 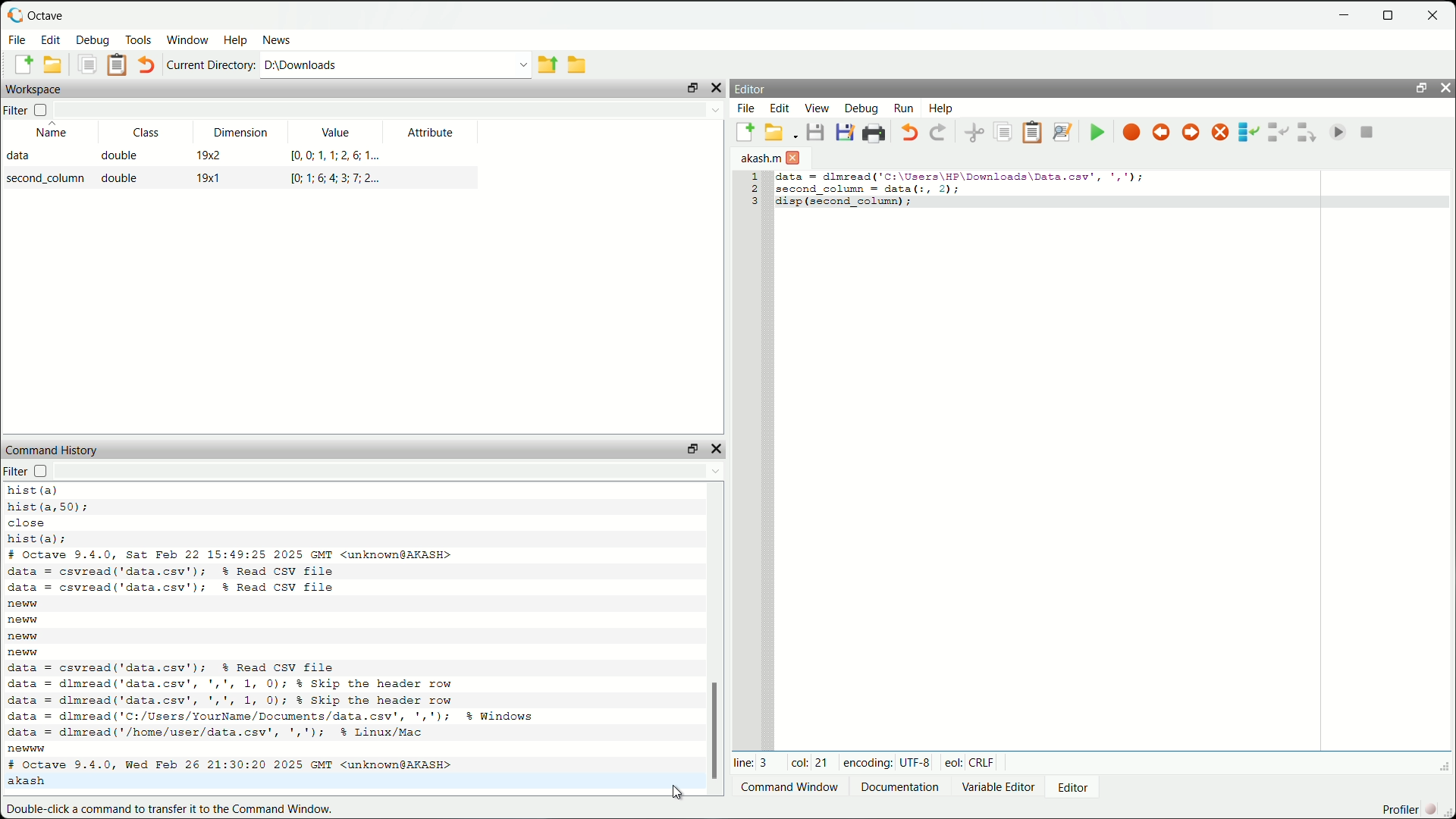 I want to click on new script, so click(x=745, y=133).